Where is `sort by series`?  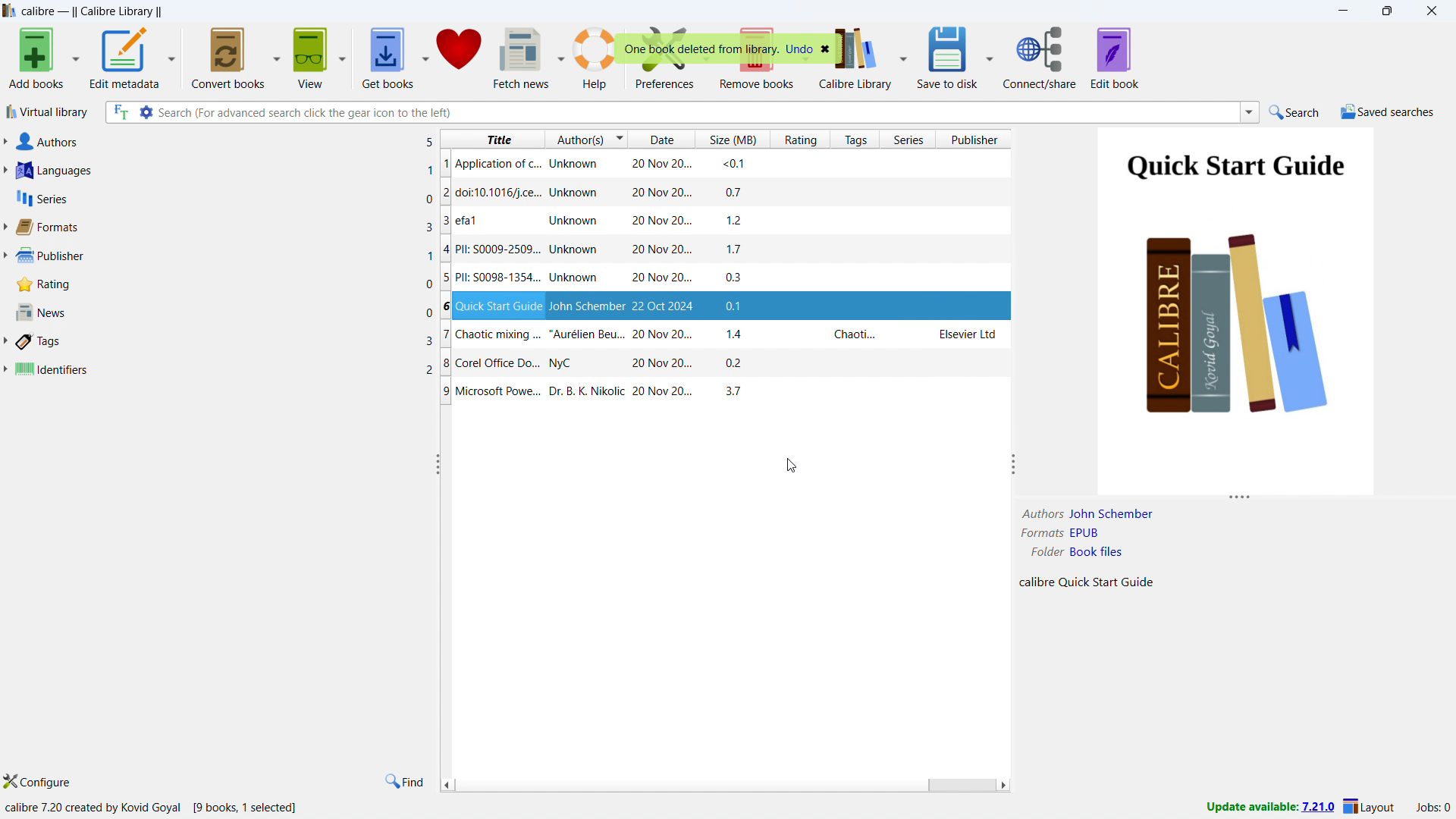 sort by series is located at coordinates (912, 139).